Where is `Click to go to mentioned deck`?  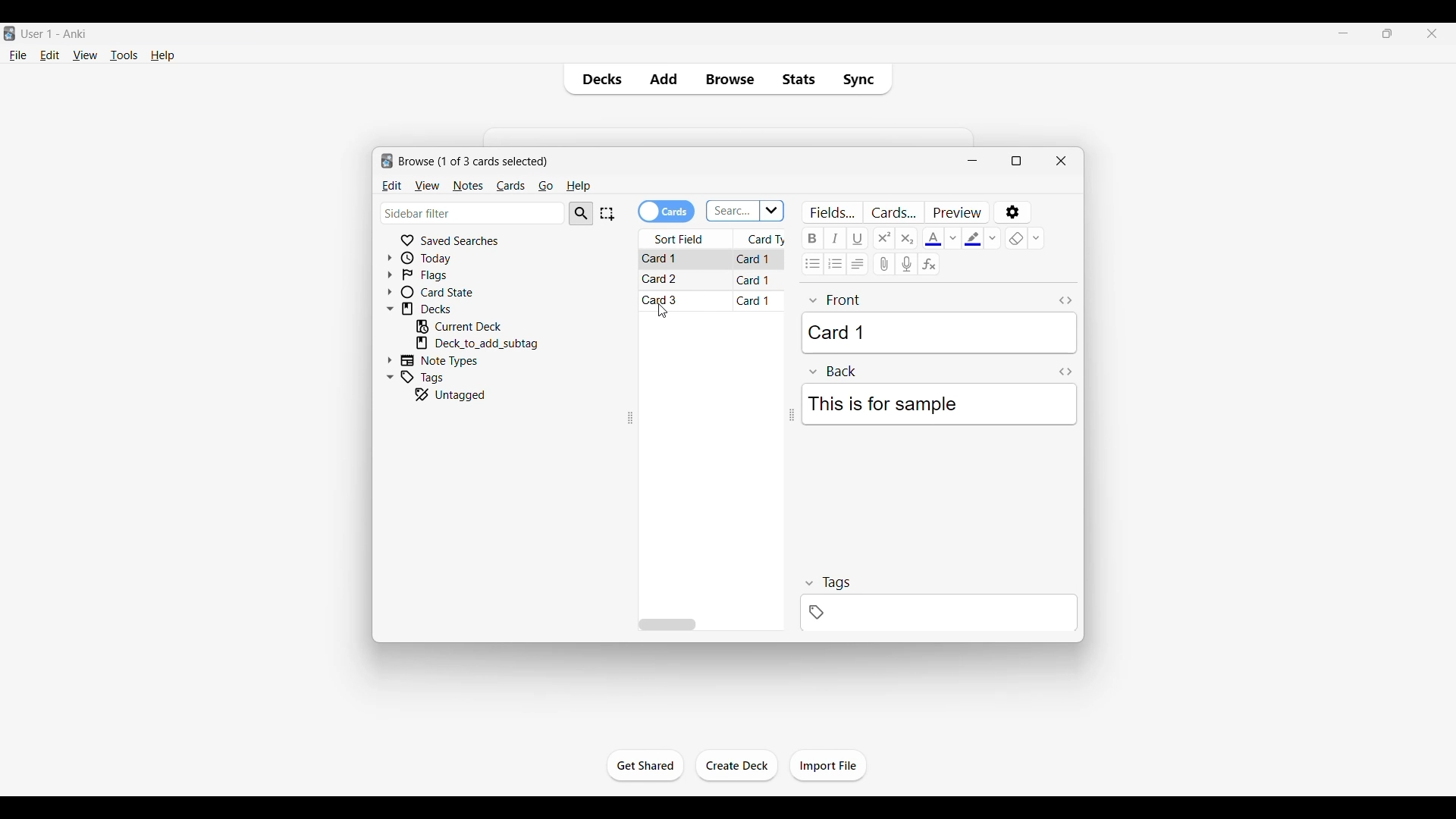 Click to go to mentioned deck is located at coordinates (476, 344).